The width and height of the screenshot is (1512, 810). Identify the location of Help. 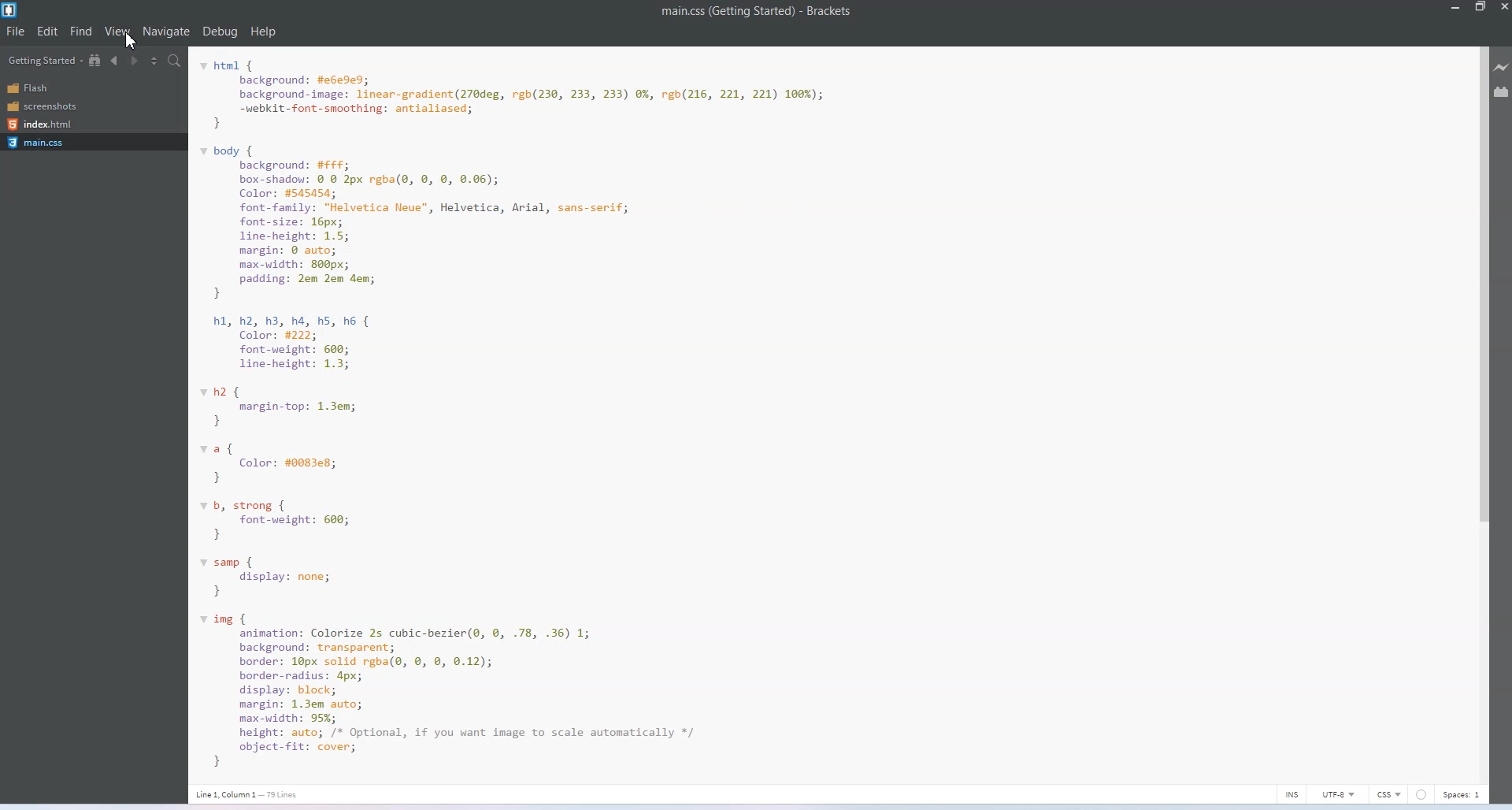
(264, 32).